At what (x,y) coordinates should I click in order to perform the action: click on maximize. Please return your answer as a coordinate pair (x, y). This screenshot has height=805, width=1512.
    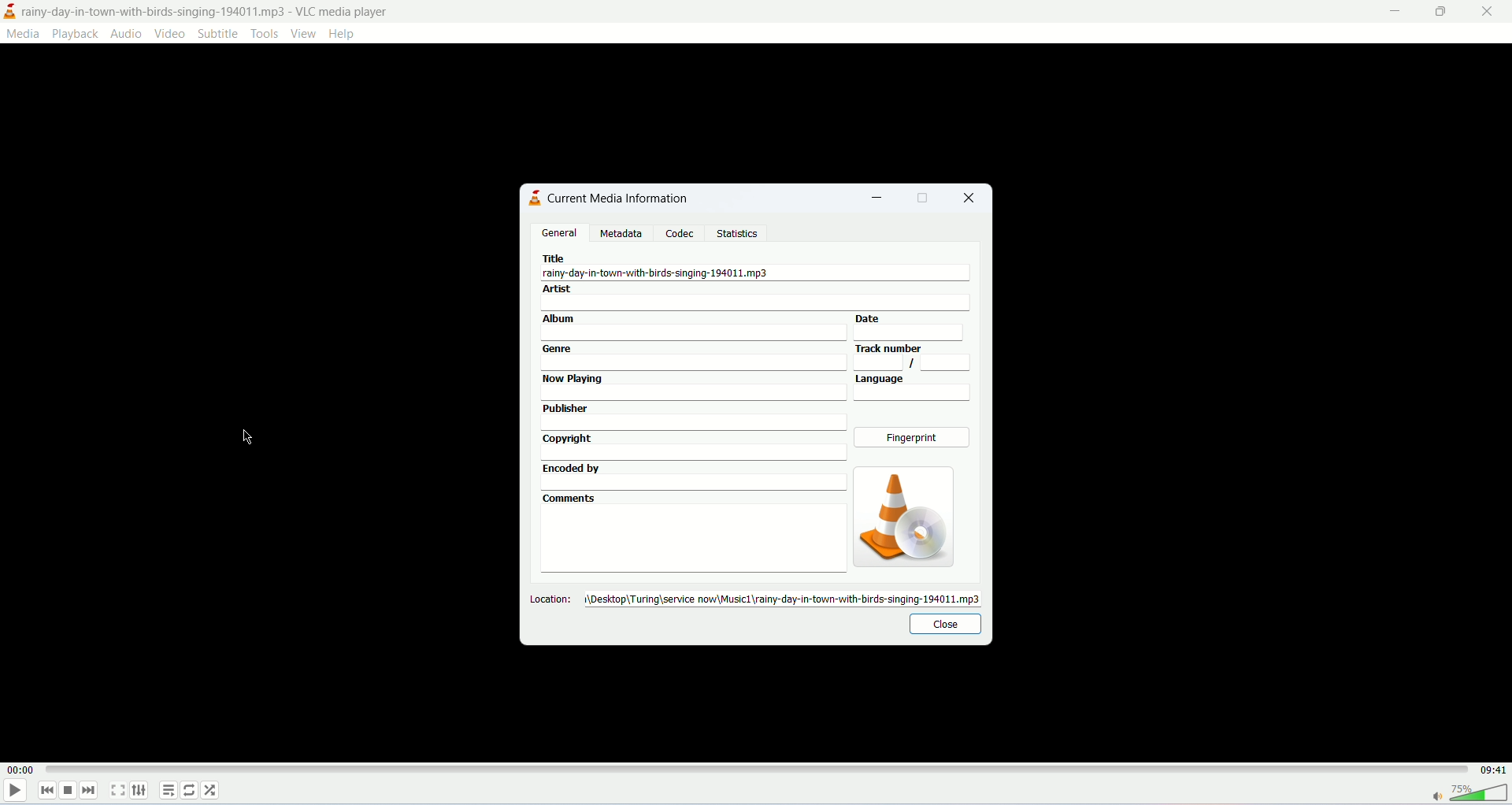
    Looking at the image, I should click on (923, 198).